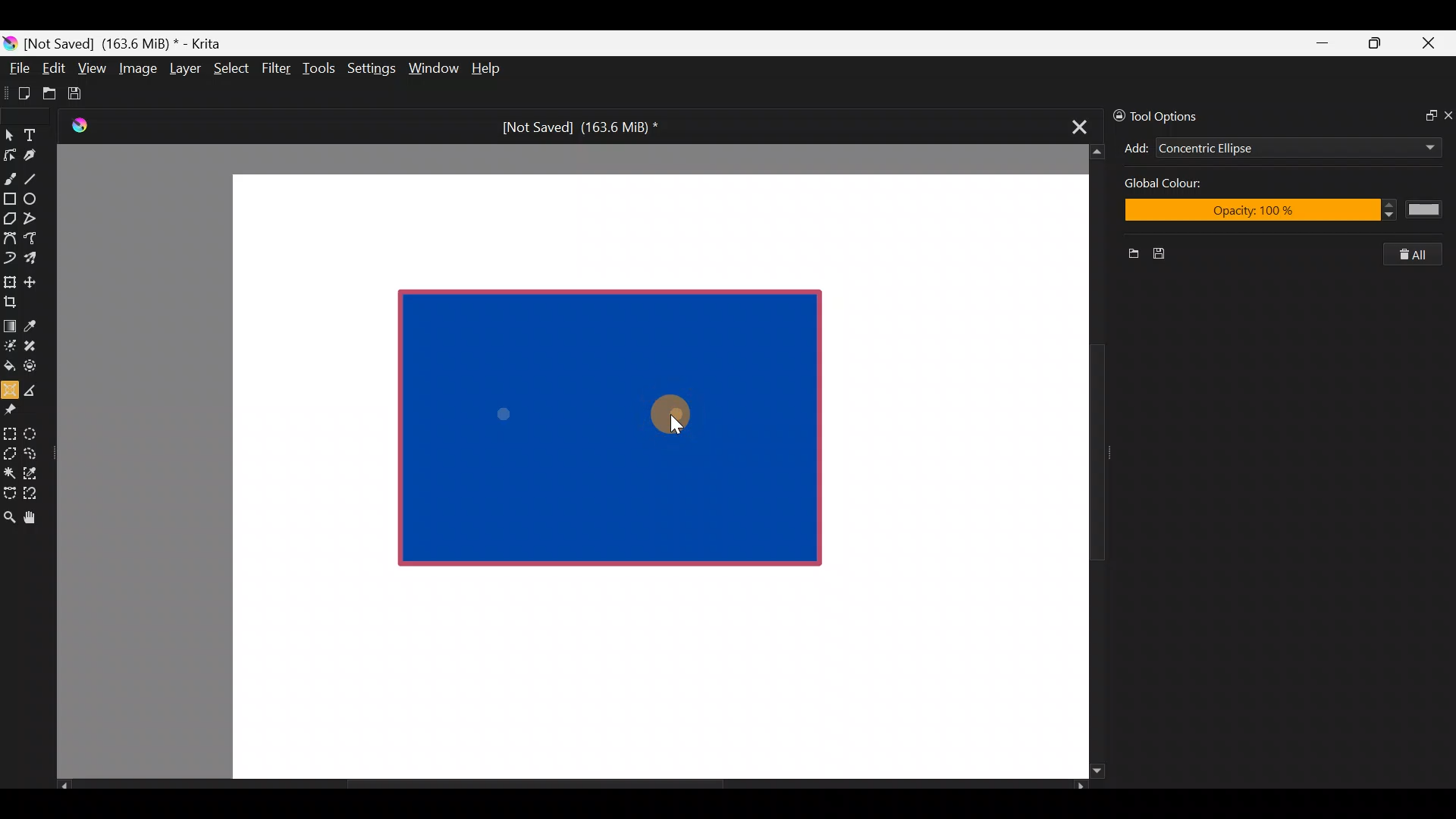 This screenshot has width=1456, height=819. Describe the element at coordinates (1279, 212) in the screenshot. I see `Opacity: 100%` at that location.